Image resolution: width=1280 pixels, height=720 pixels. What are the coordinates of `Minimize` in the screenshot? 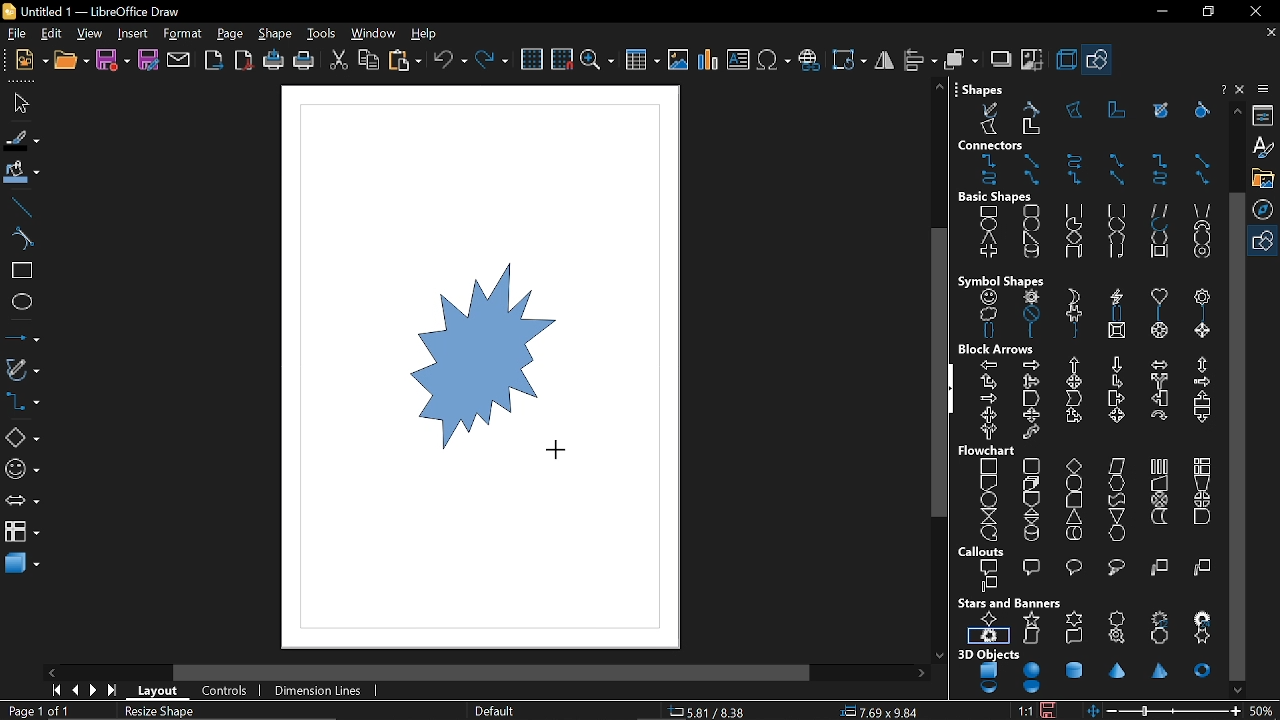 It's located at (1157, 12).